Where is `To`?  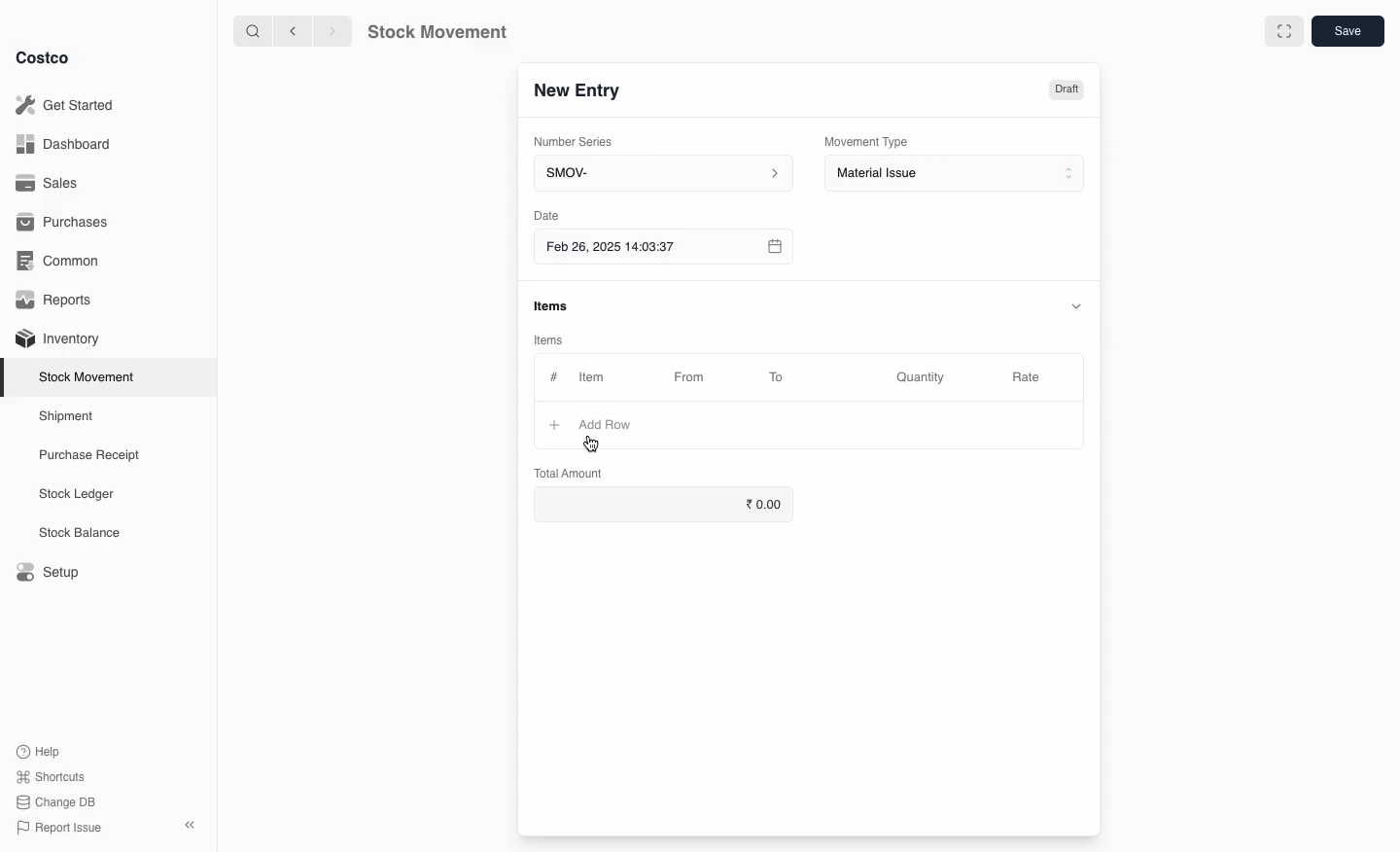 To is located at coordinates (777, 376).